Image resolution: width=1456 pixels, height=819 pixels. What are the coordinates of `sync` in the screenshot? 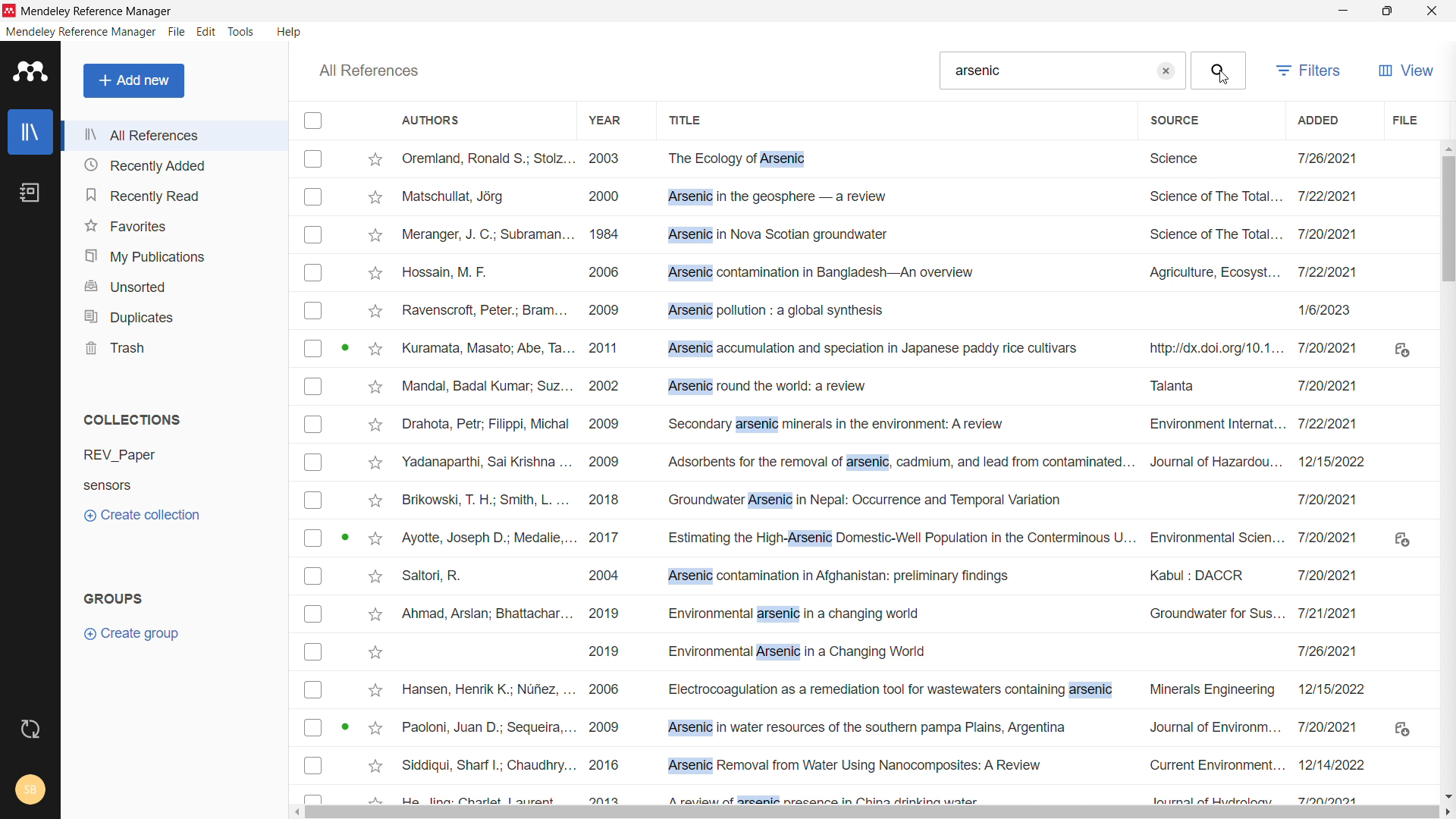 It's located at (30, 730).